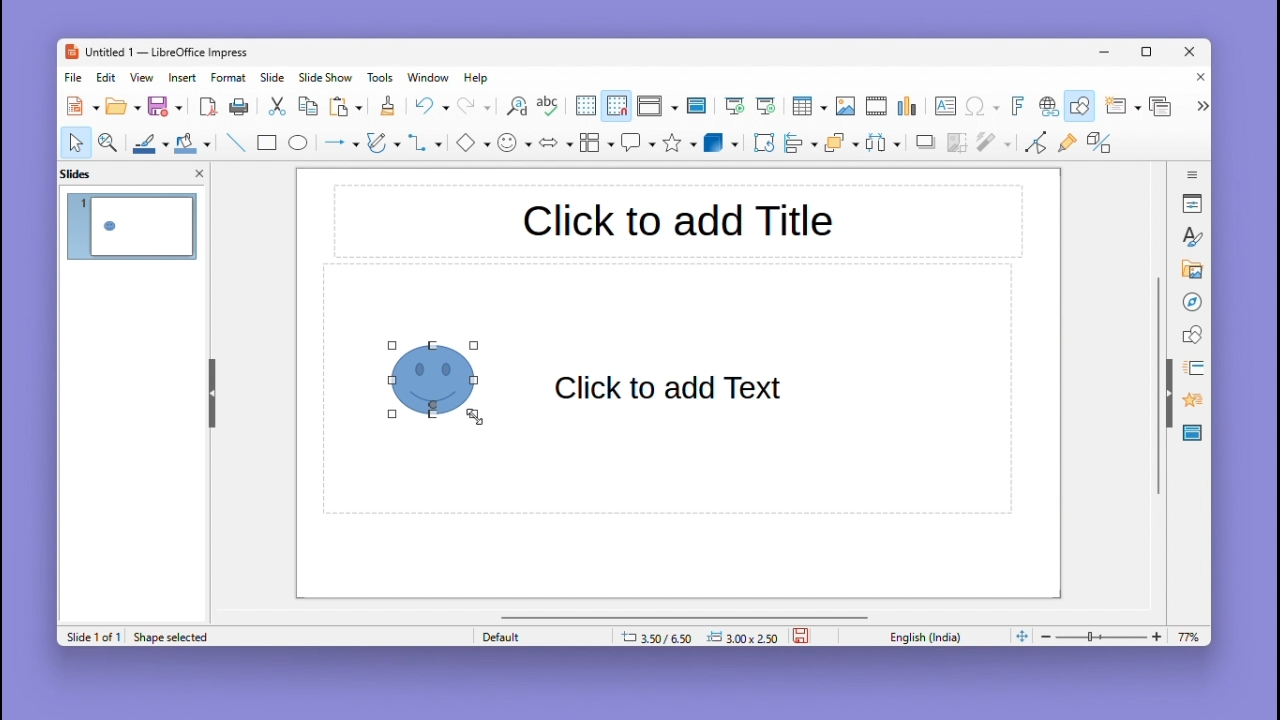 The height and width of the screenshot is (720, 1280). What do you see at coordinates (265, 142) in the screenshot?
I see `Rectangle` at bounding box center [265, 142].